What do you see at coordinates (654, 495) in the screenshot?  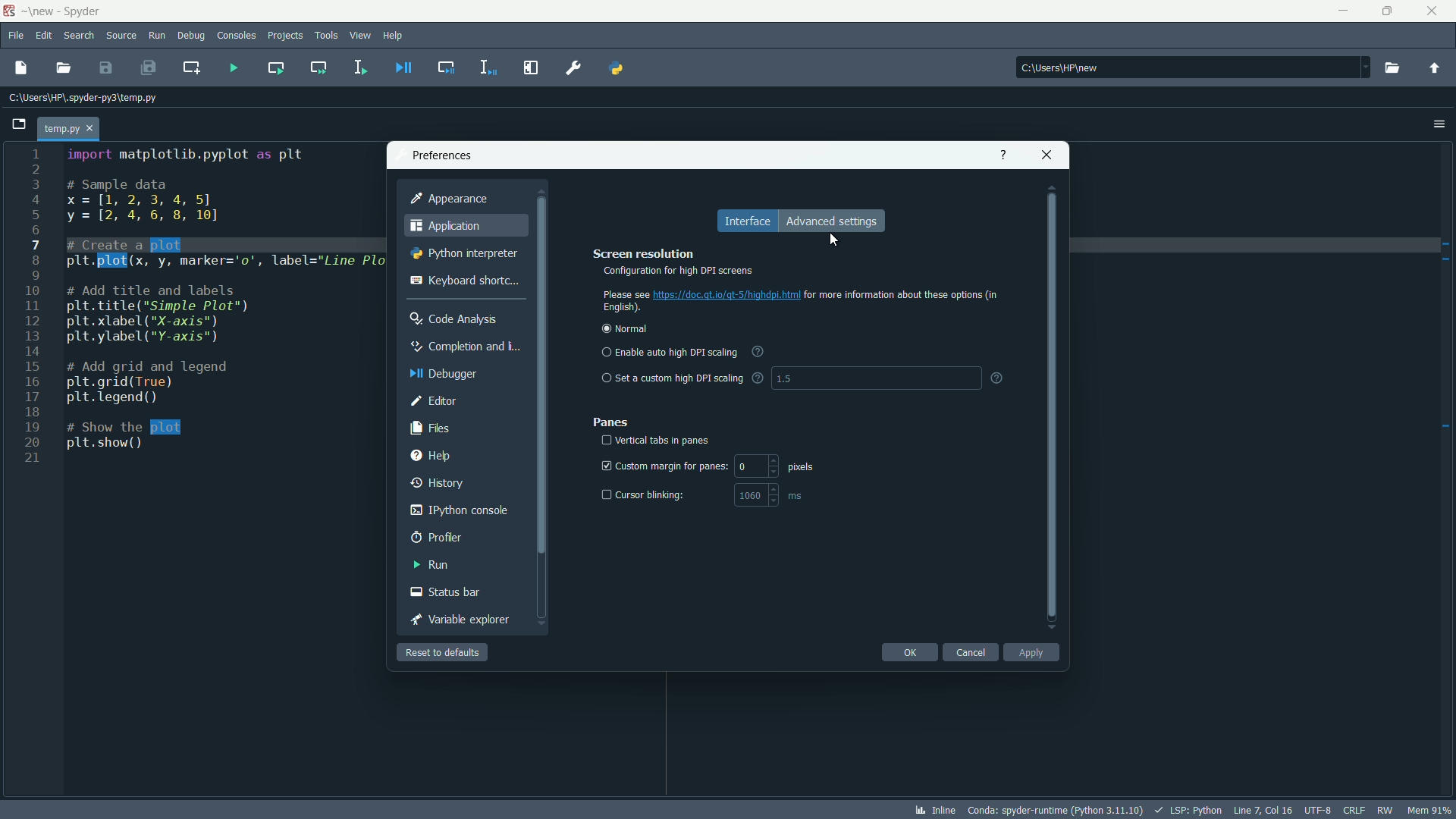 I see `cursor blinking` at bounding box center [654, 495].